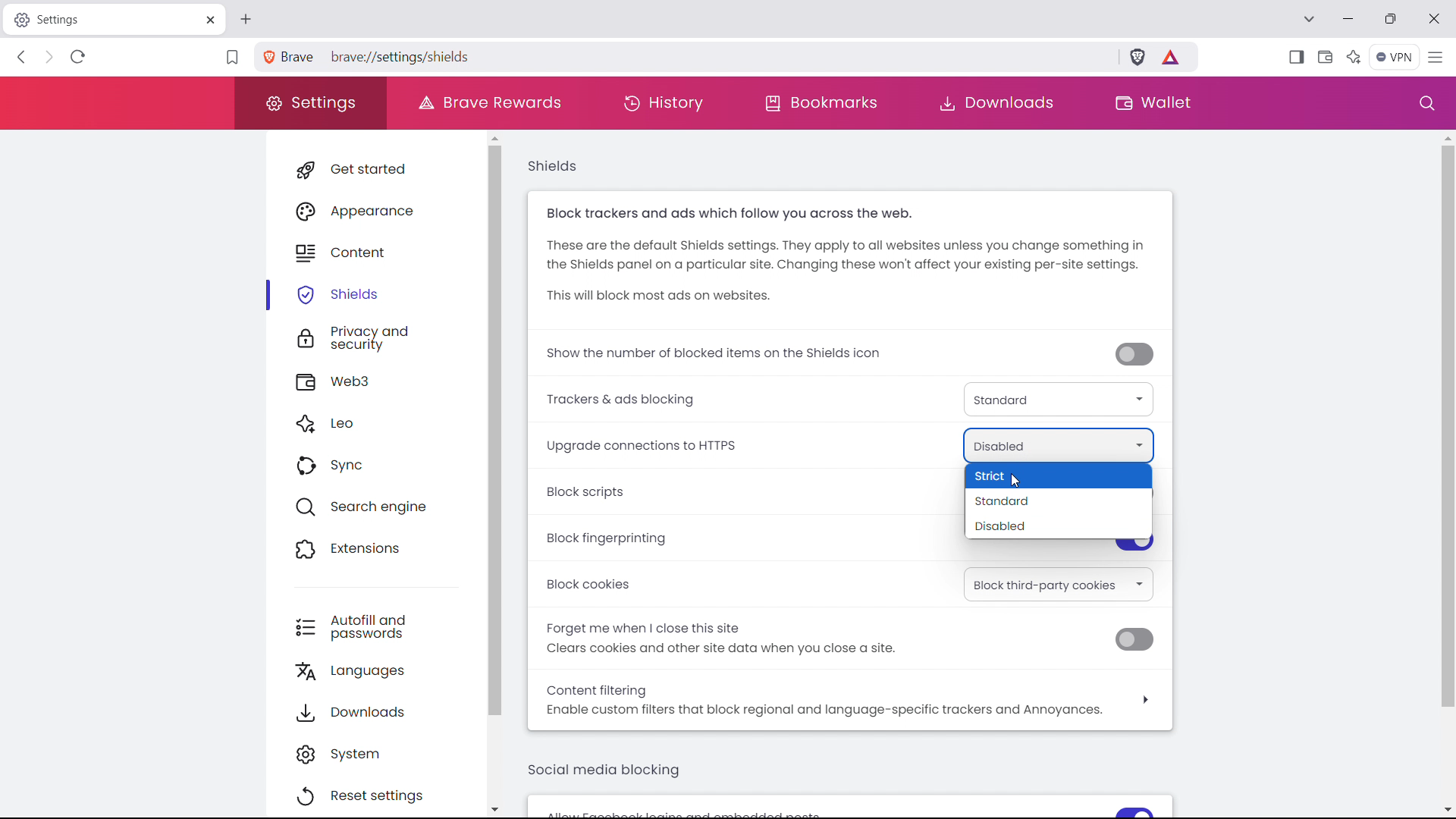 The height and width of the screenshot is (819, 1456). What do you see at coordinates (657, 297) in the screenshot?
I see `This will block most ads on websites.` at bounding box center [657, 297].